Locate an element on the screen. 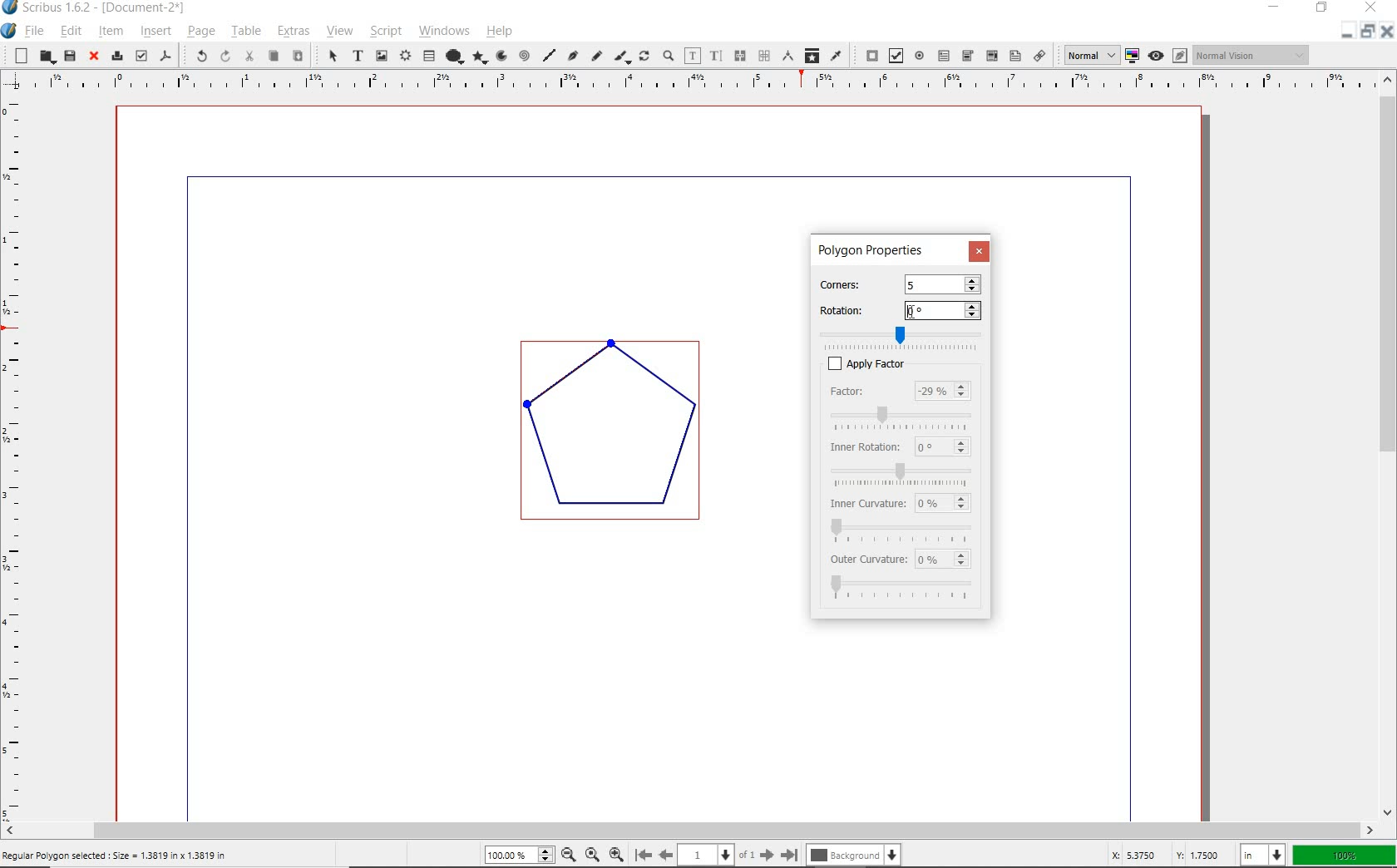 The height and width of the screenshot is (868, 1397). Zoom In is located at coordinates (618, 854).